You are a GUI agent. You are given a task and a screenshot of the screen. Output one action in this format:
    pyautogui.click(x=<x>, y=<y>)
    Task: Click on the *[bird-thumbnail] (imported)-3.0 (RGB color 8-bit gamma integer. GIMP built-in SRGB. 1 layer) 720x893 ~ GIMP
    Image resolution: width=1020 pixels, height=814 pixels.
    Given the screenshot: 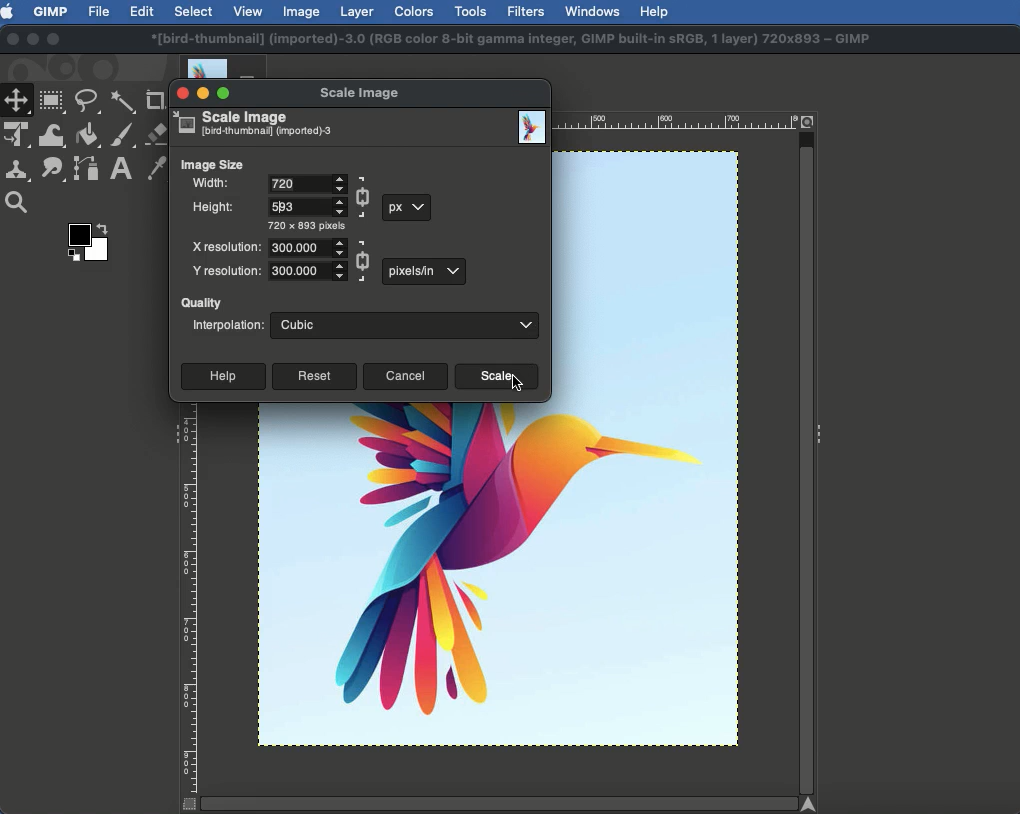 What is the action you would take?
    pyautogui.click(x=511, y=36)
    